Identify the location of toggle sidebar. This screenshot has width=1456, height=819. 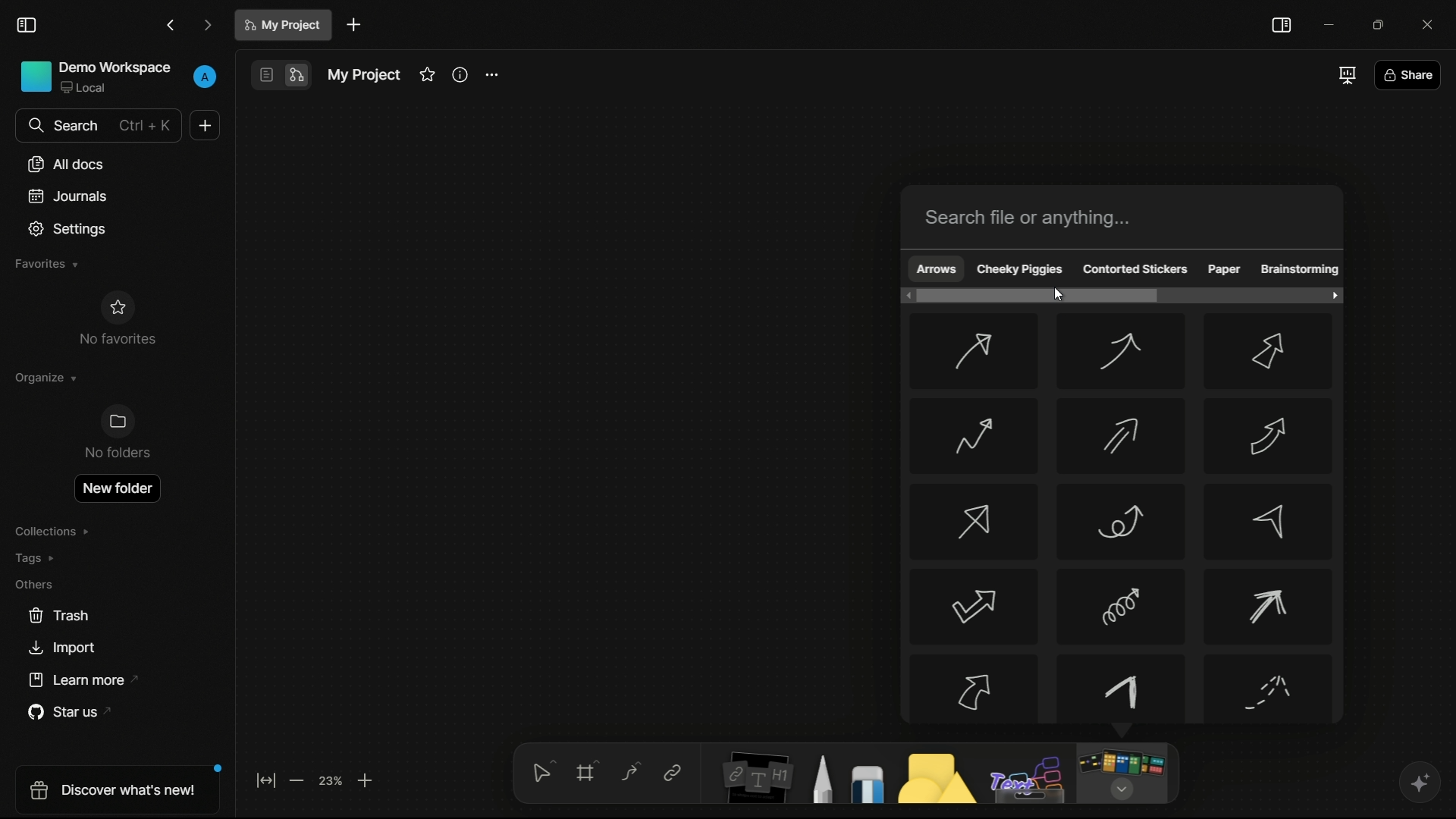
(1281, 25).